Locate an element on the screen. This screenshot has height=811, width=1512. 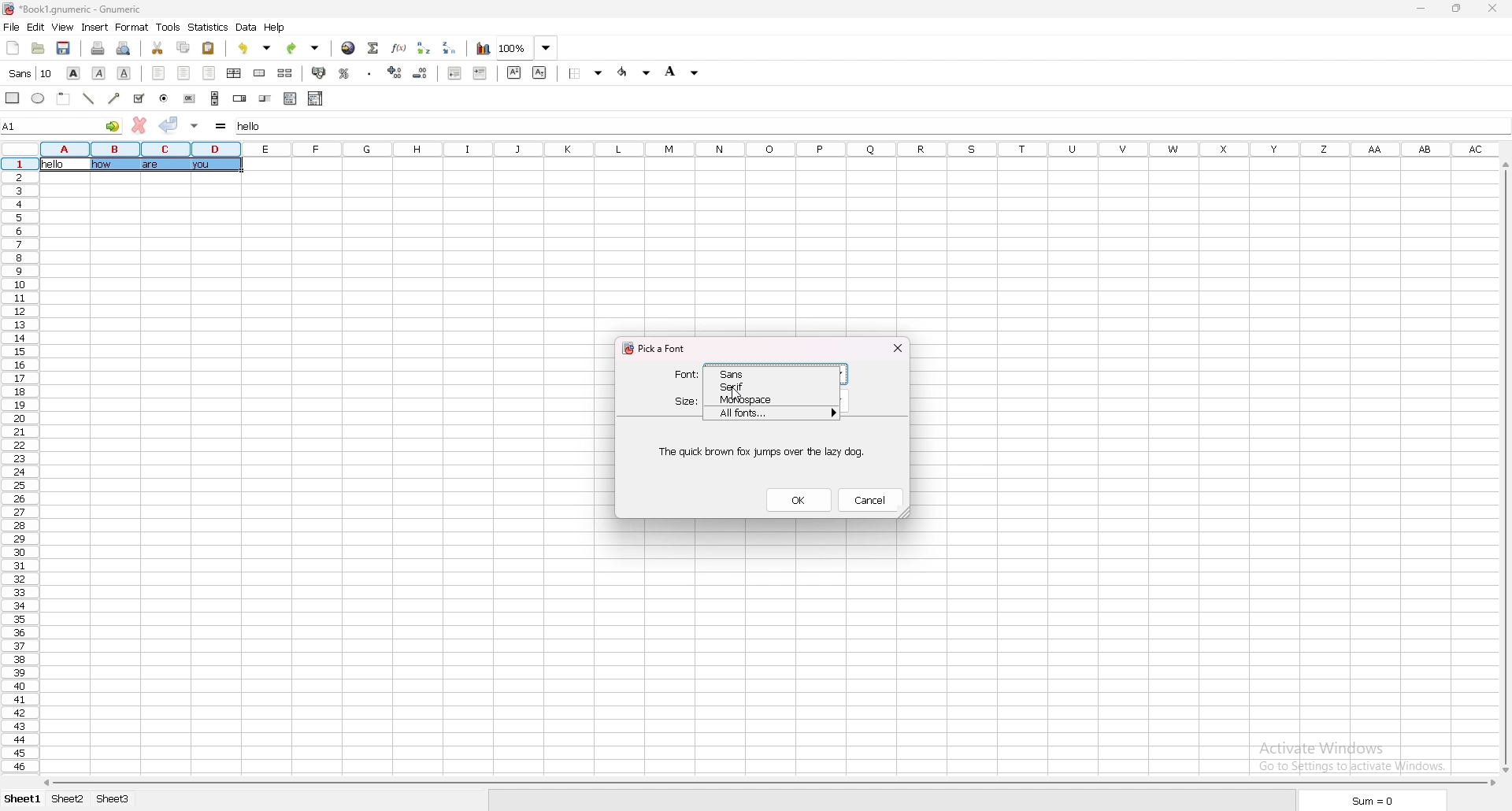
subscript is located at coordinates (539, 72).